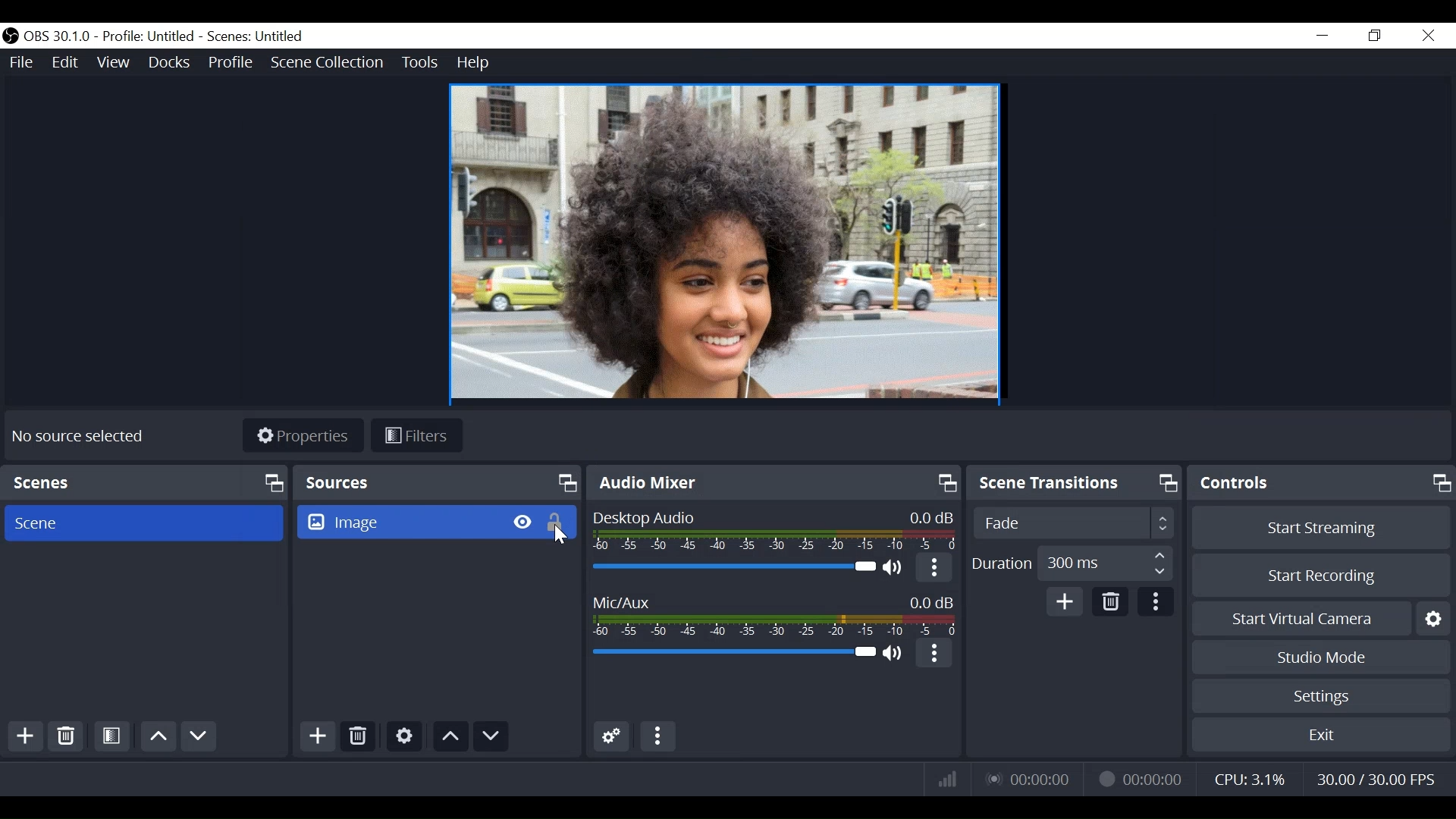  I want to click on Profile: Untitled, so click(151, 36).